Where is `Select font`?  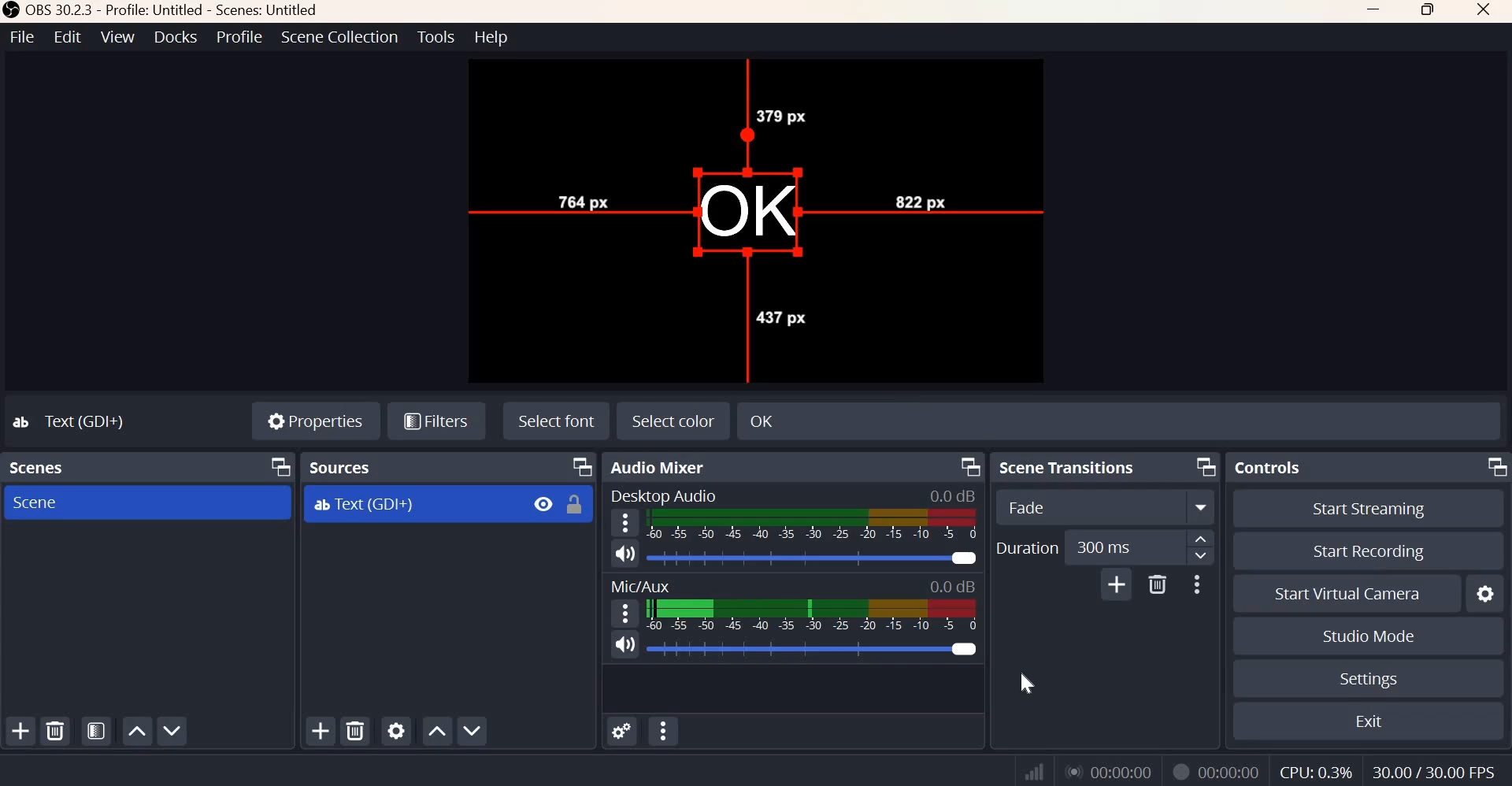 Select font is located at coordinates (557, 420).